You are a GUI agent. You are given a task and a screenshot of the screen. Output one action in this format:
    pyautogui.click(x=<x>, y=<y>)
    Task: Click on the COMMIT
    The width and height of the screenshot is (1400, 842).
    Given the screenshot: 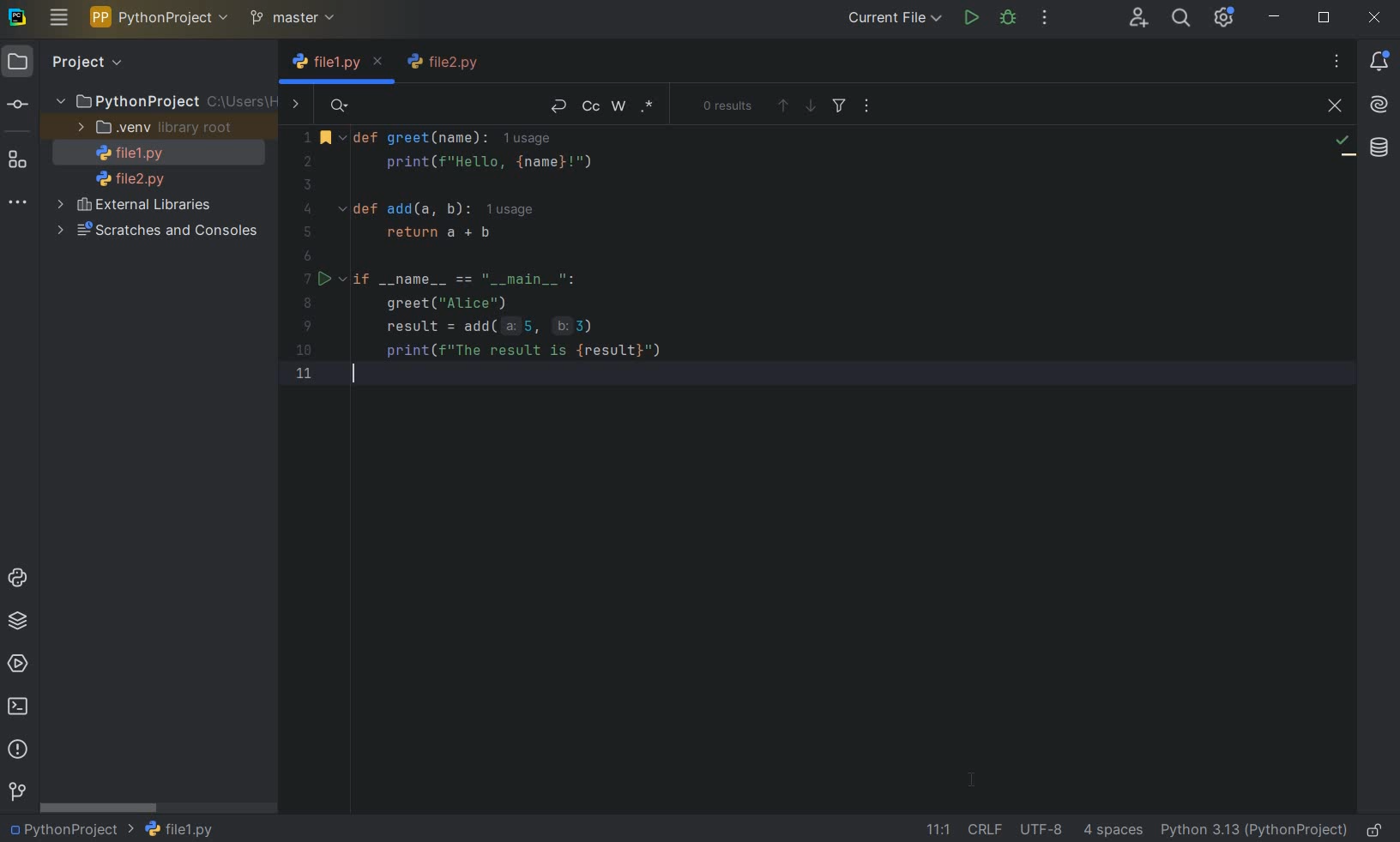 What is the action you would take?
    pyautogui.click(x=17, y=105)
    